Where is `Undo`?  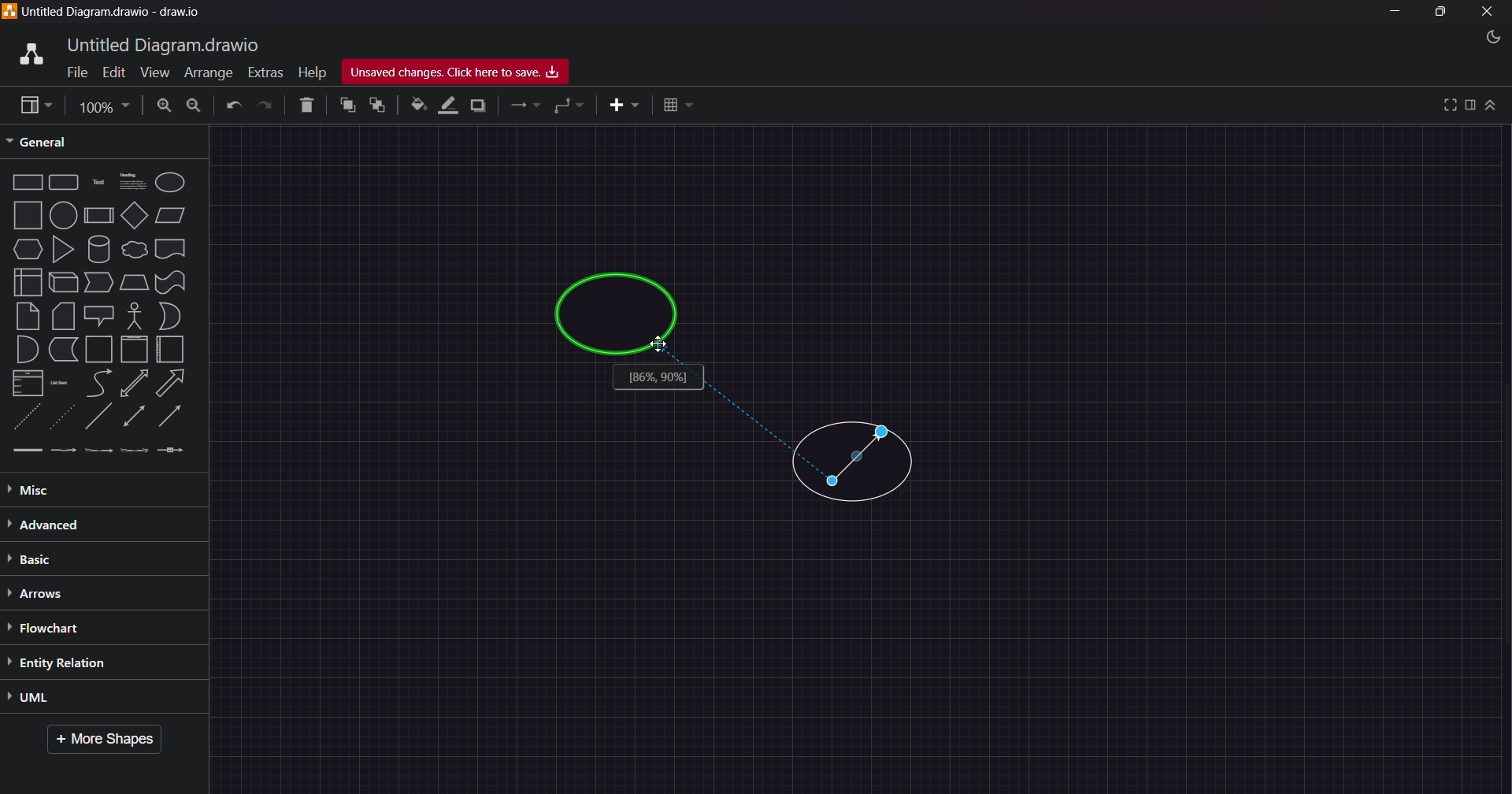 Undo is located at coordinates (233, 106).